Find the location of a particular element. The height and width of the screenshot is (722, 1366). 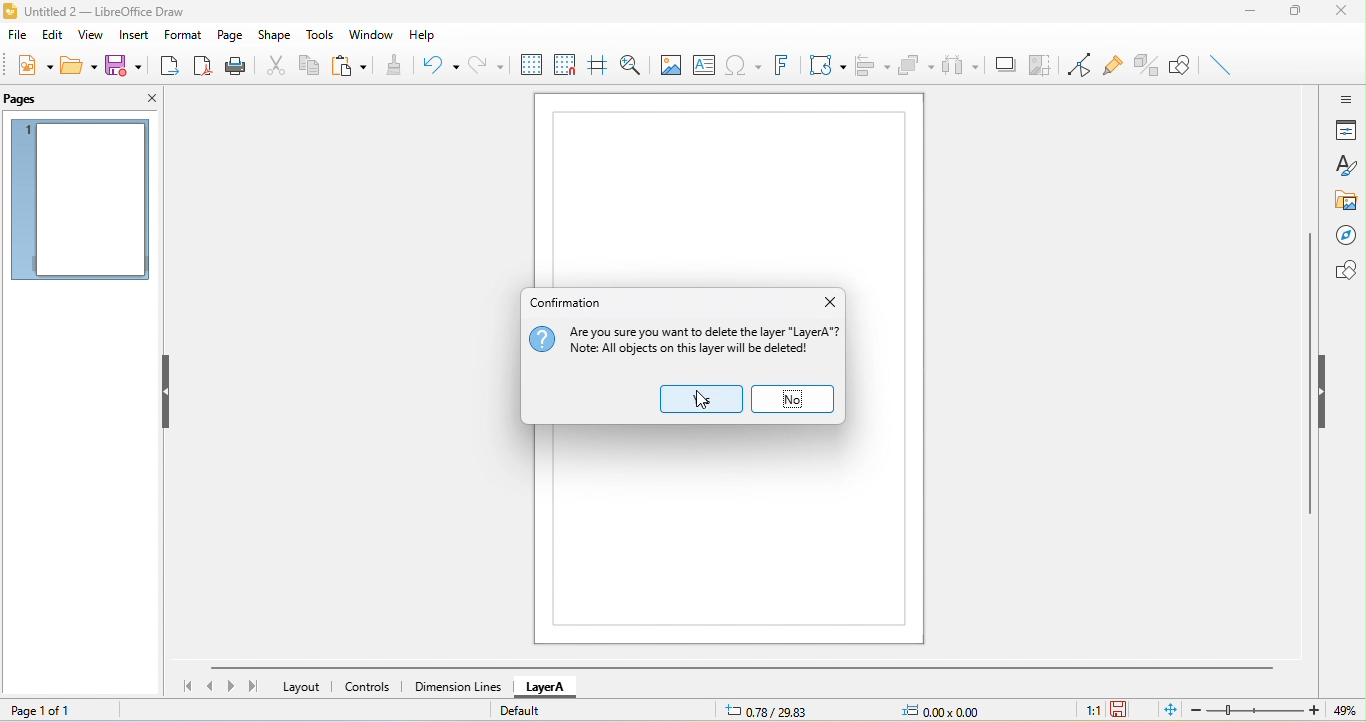

view is located at coordinates (89, 37).